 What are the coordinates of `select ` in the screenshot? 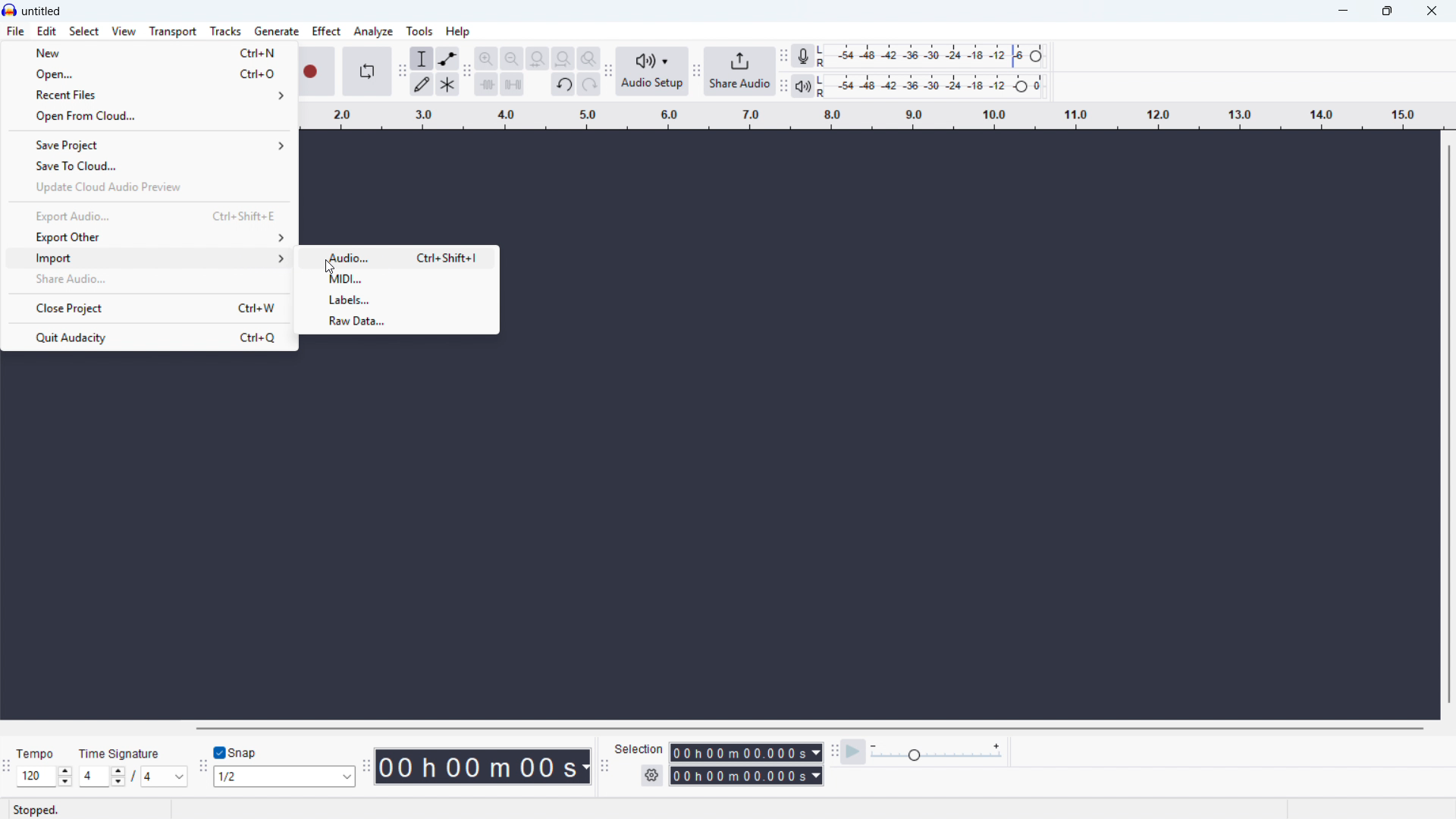 It's located at (85, 32).